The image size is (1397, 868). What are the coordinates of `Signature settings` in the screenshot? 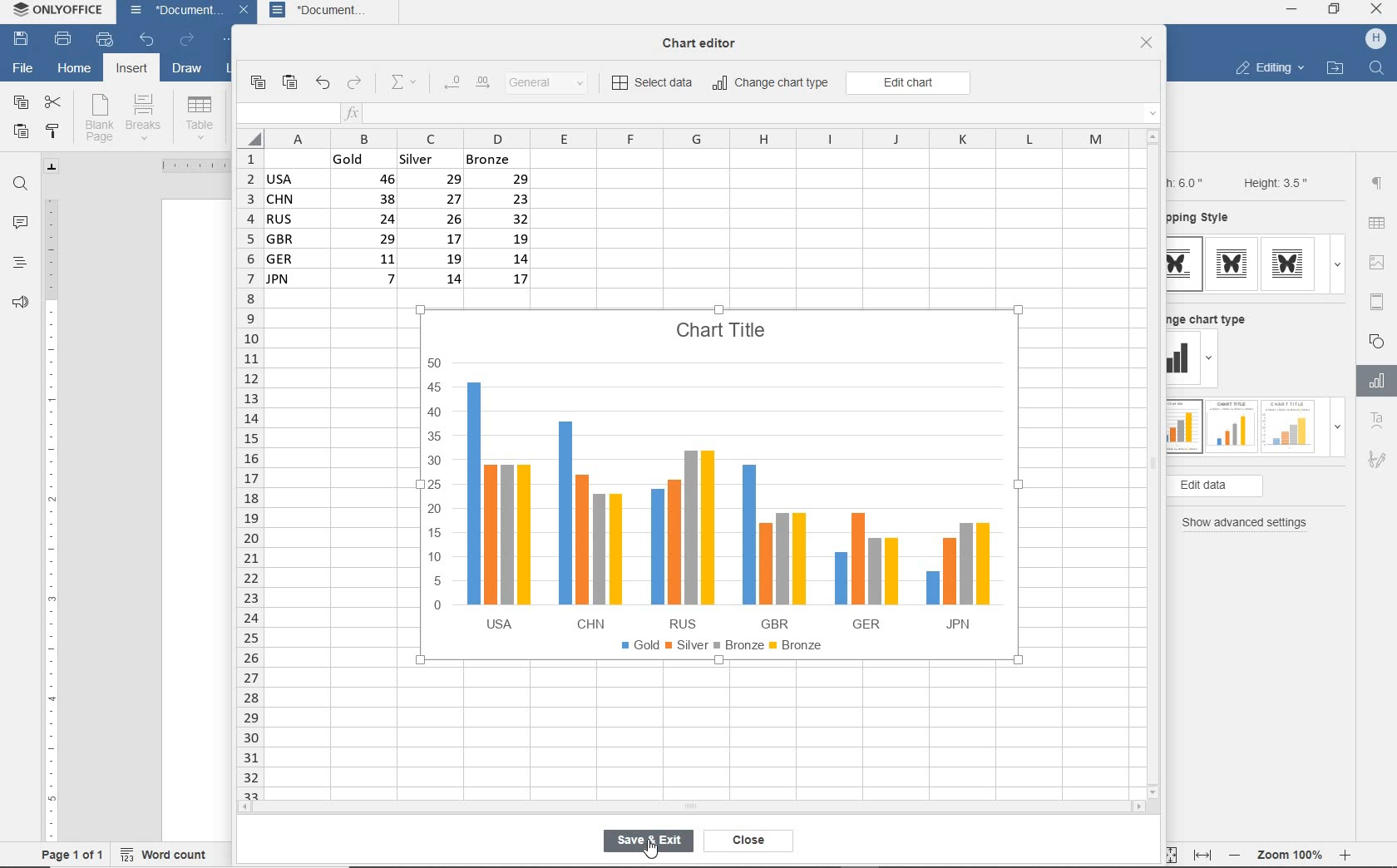 It's located at (1376, 463).